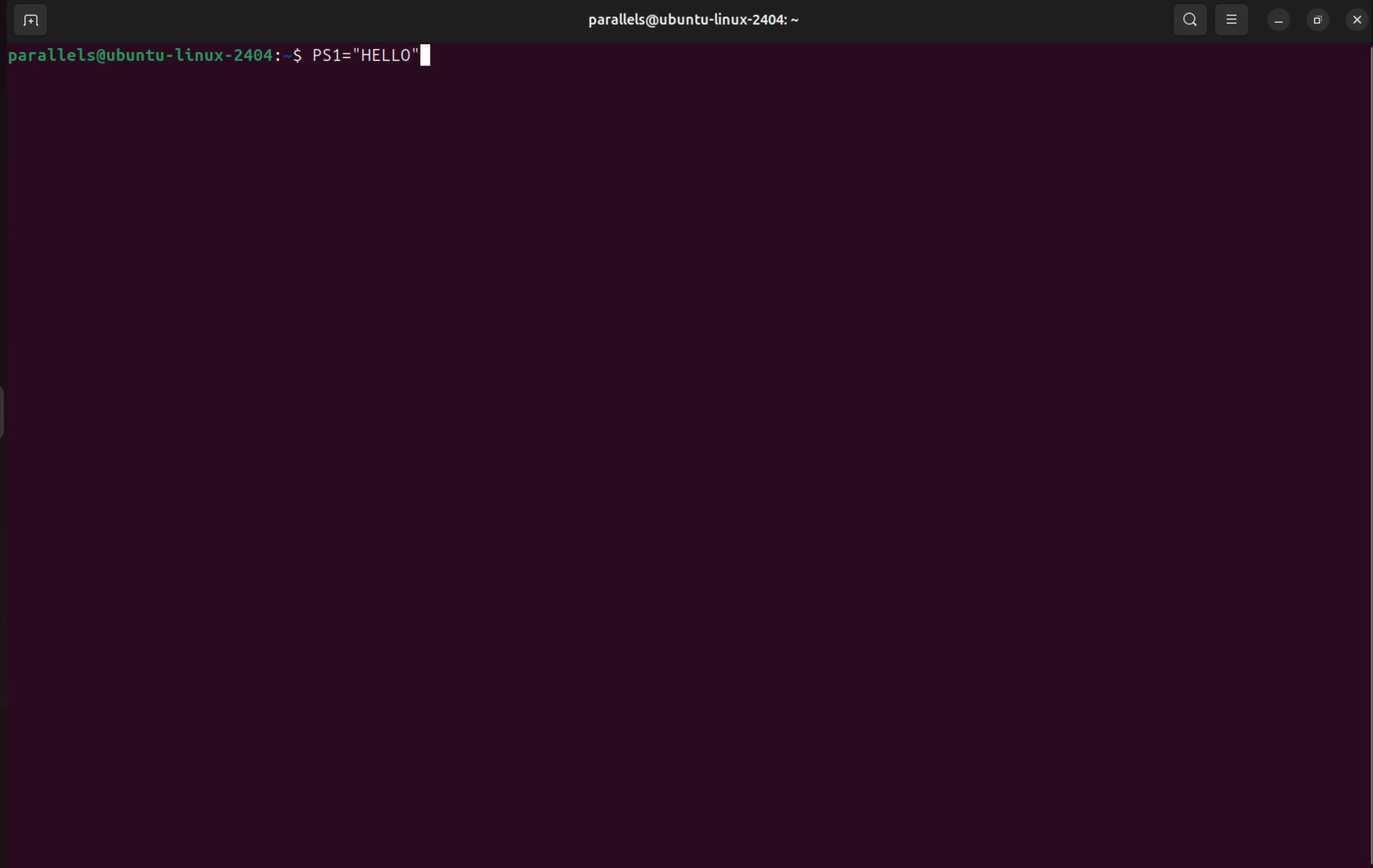 The image size is (1373, 868). What do you see at coordinates (30, 21) in the screenshot?
I see `add terminal` at bounding box center [30, 21].